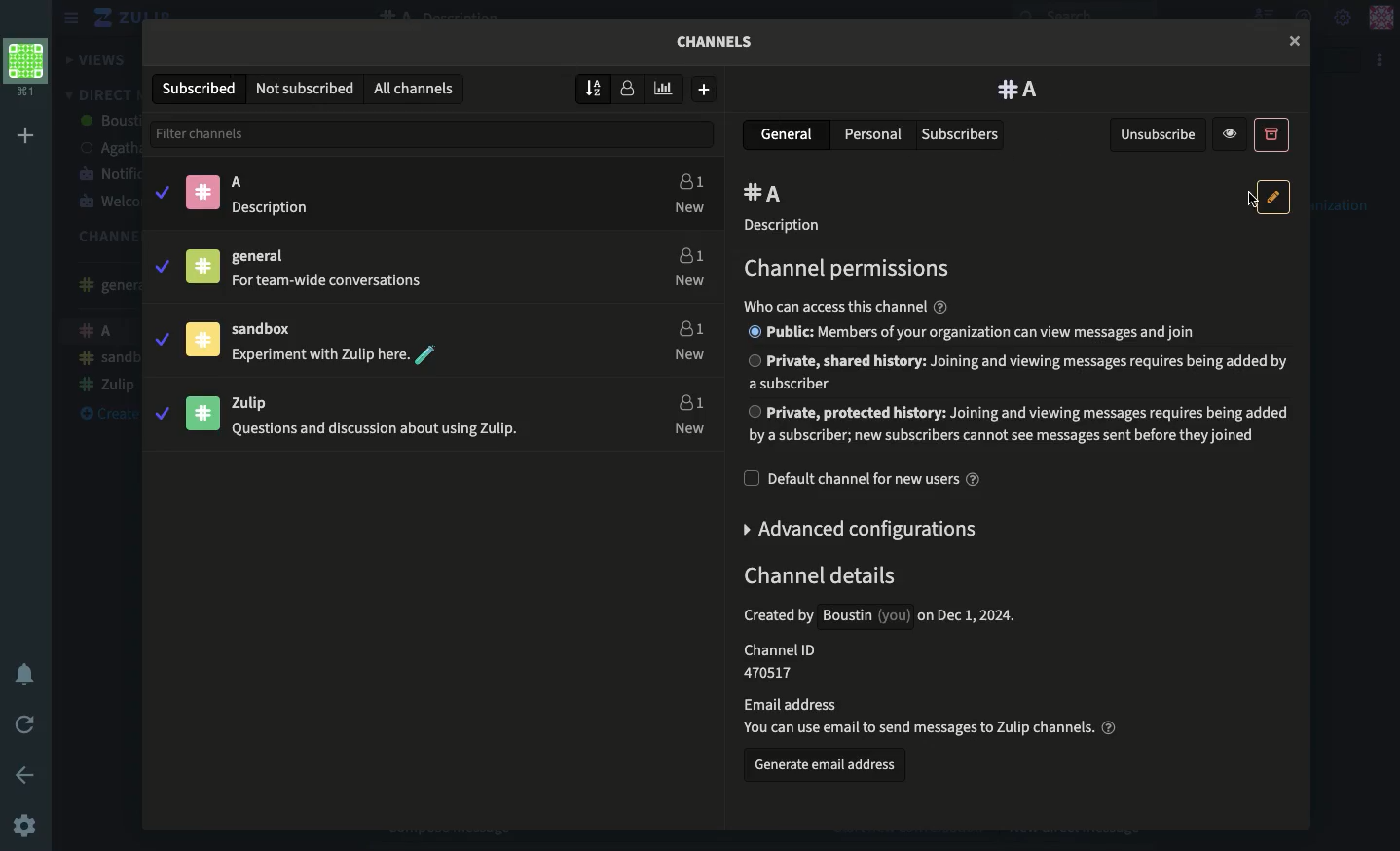 Image resolution: width=1400 pixels, height=851 pixels. Describe the element at coordinates (102, 333) in the screenshot. I see `A` at that location.